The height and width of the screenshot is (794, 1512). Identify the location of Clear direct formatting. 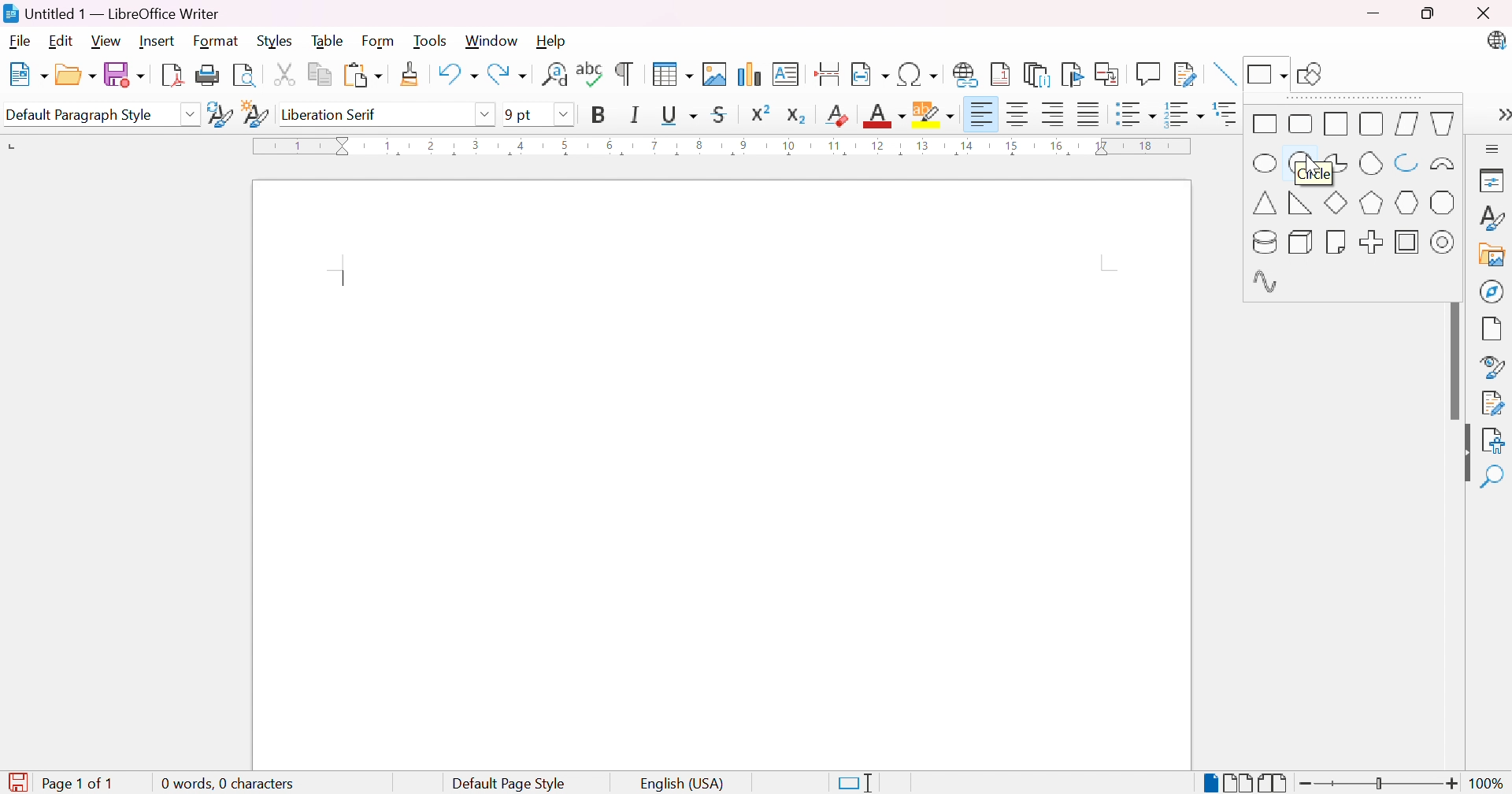
(839, 114).